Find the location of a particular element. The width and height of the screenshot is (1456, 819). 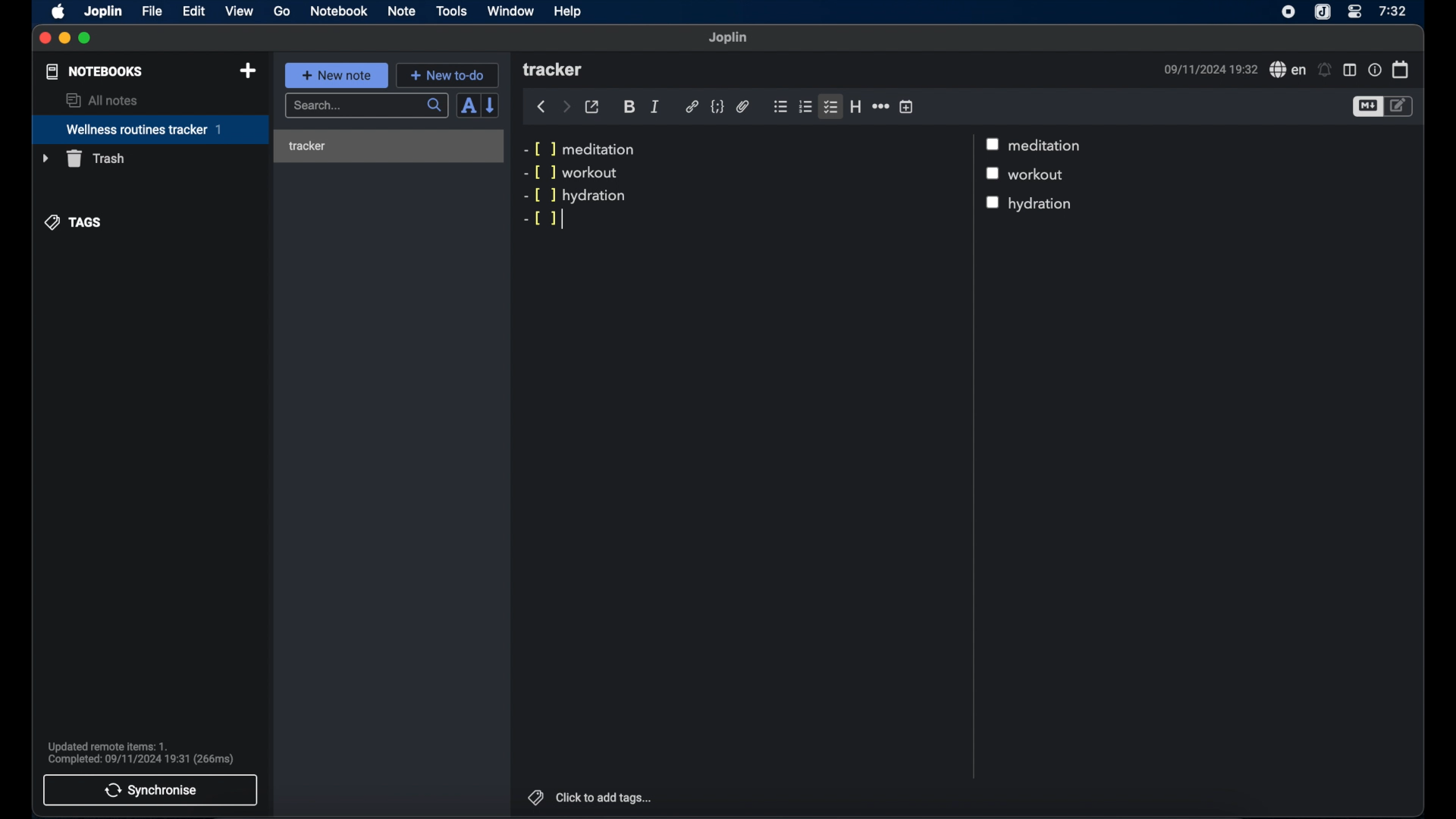

Updated remote items: 1. Complete: 09/11/2024 19:31 (266ms) is located at coordinates (147, 751).